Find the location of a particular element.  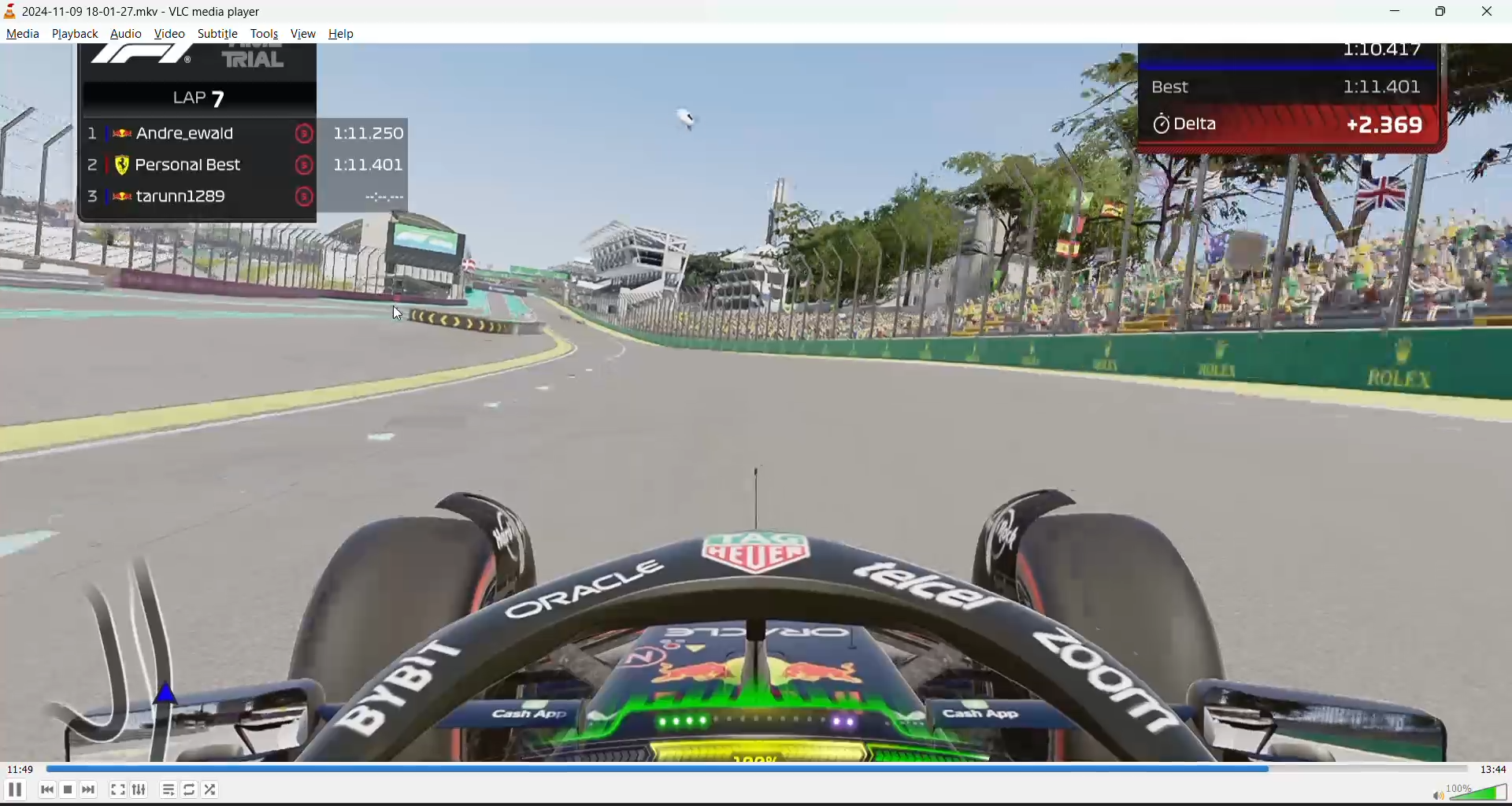

total track time is located at coordinates (1493, 769).